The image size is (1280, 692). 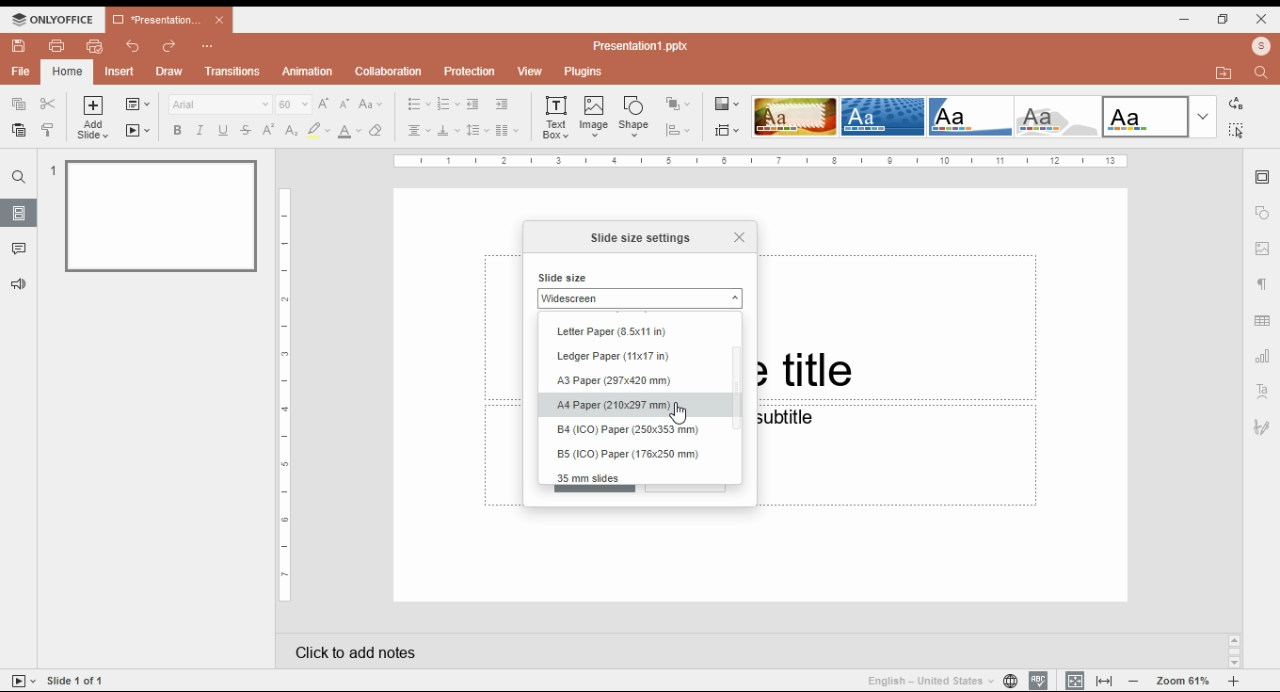 What do you see at coordinates (246, 130) in the screenshot?
I see `strikethrough` at bounding box center [246, 130].